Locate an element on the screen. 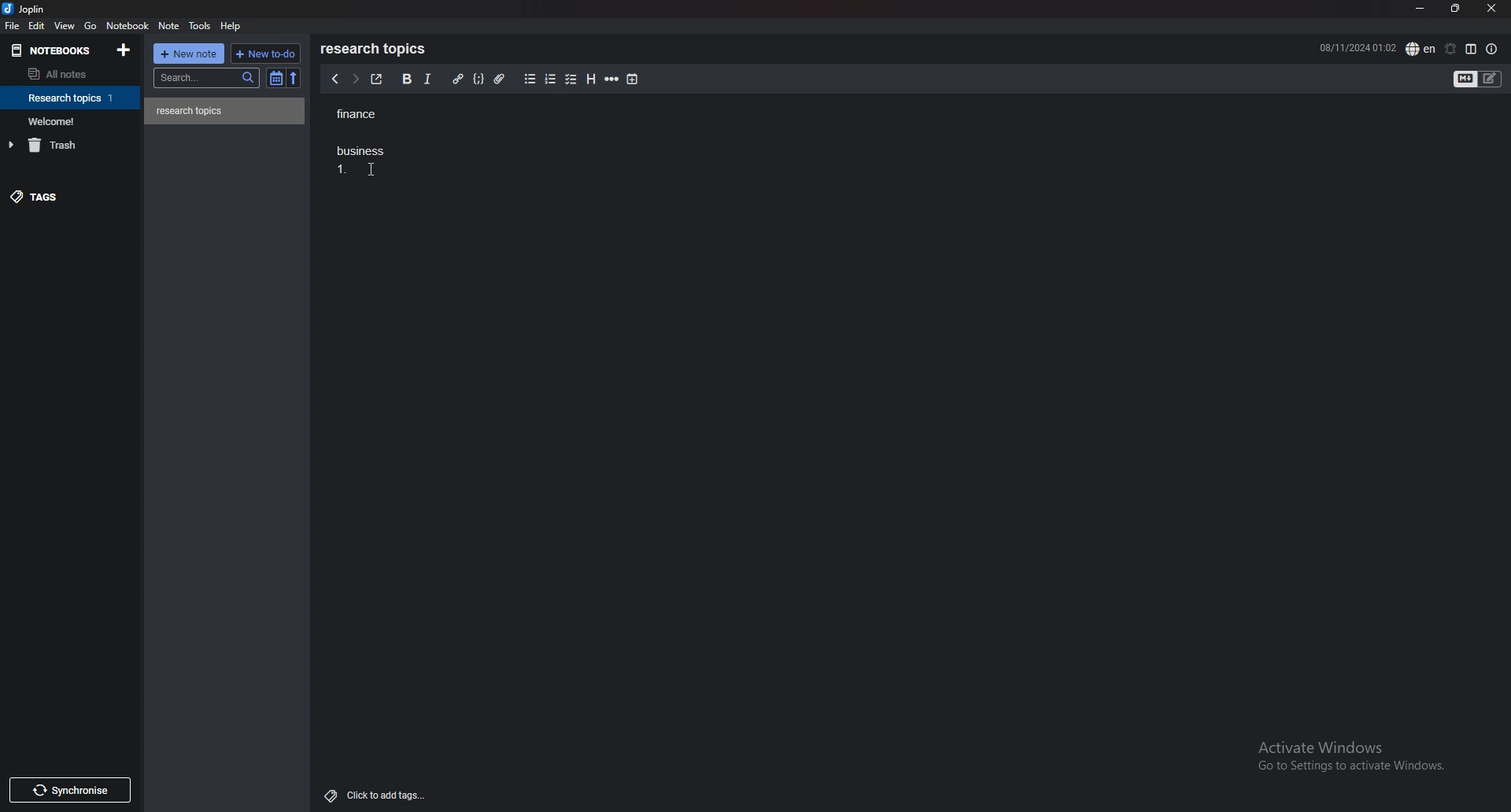 This screenshot has width=1511, height=812. toggle sort order is located at coordinates (276, 79).